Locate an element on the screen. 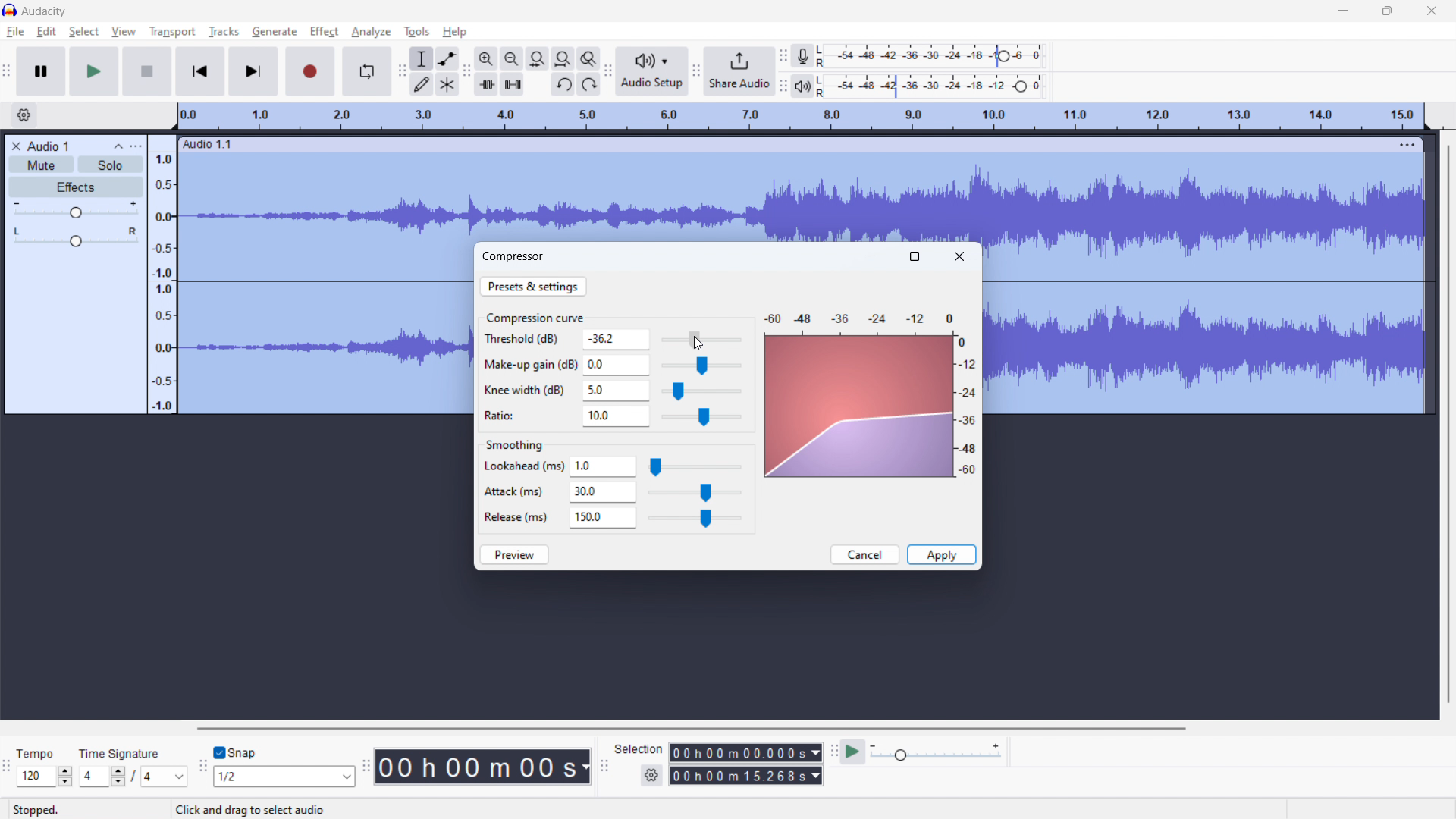 The image size is (1456, 819). time toolbar is located at coordinates (366, 768).